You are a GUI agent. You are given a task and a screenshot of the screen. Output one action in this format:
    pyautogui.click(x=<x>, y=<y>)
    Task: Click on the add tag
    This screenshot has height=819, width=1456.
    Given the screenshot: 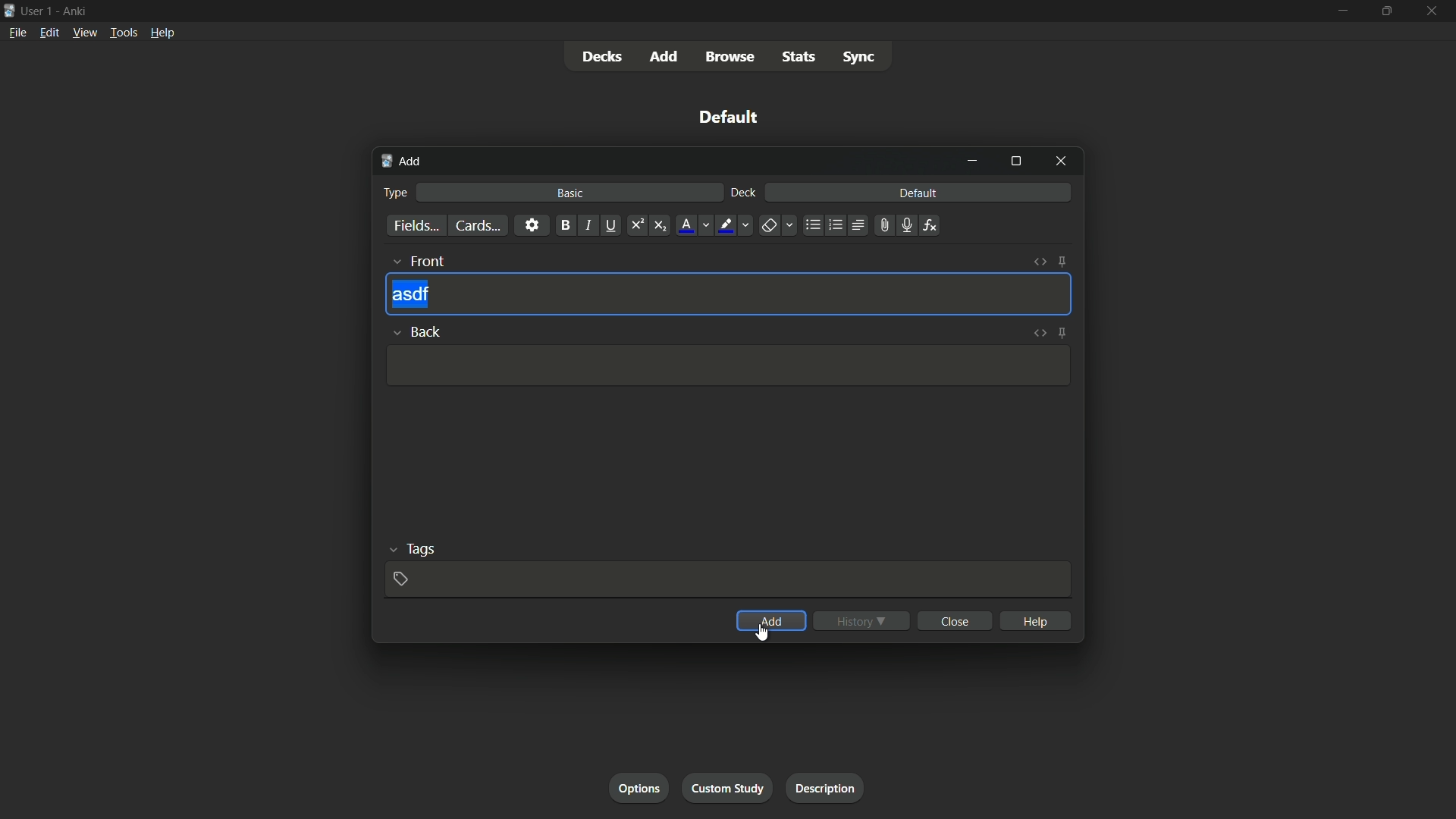 What is the action you would take?
    pyautogui.click(x=401, y=578)
    